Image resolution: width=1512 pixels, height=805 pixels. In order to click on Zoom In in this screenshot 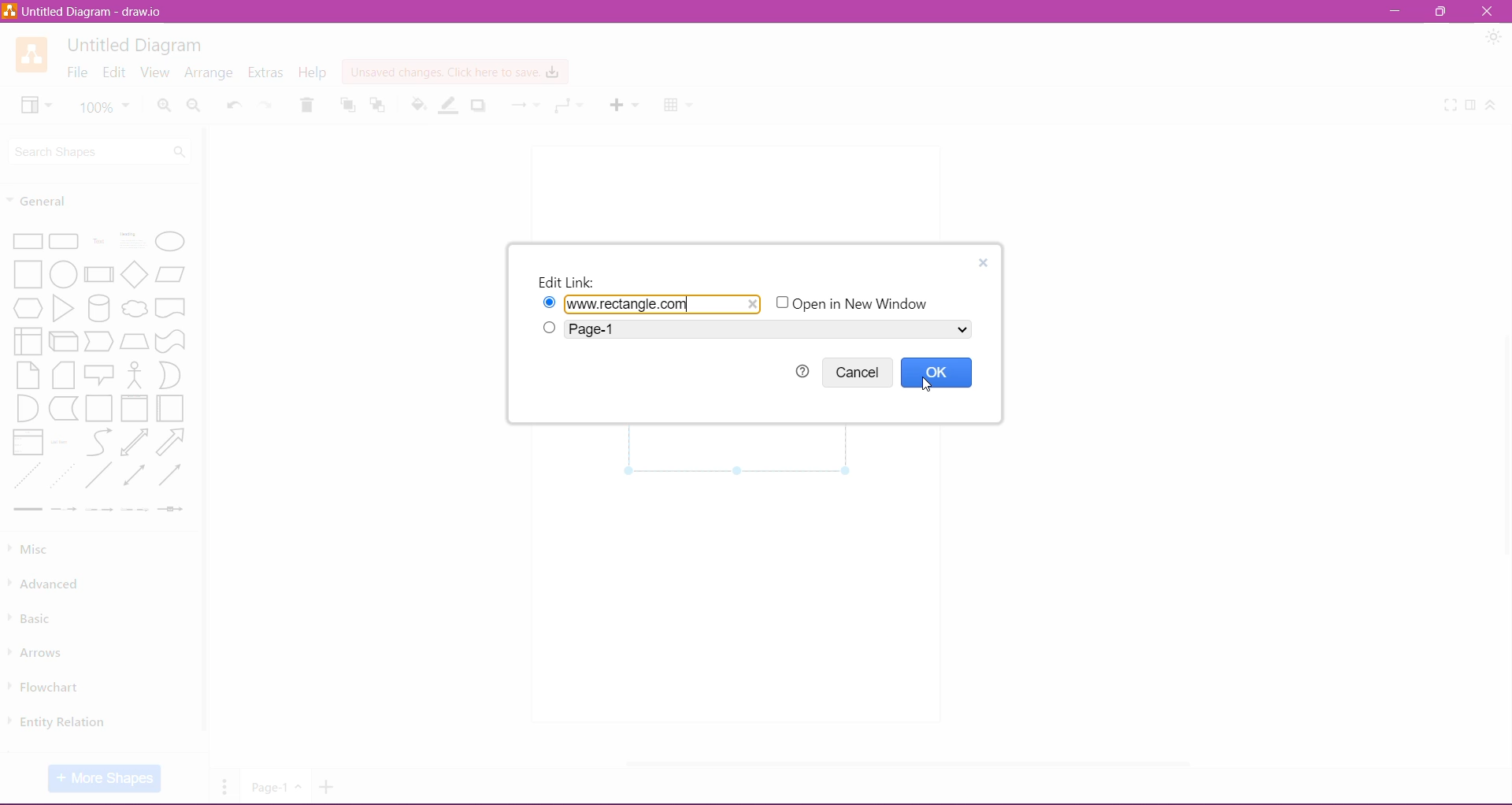, I will do `click(164, 106)`.